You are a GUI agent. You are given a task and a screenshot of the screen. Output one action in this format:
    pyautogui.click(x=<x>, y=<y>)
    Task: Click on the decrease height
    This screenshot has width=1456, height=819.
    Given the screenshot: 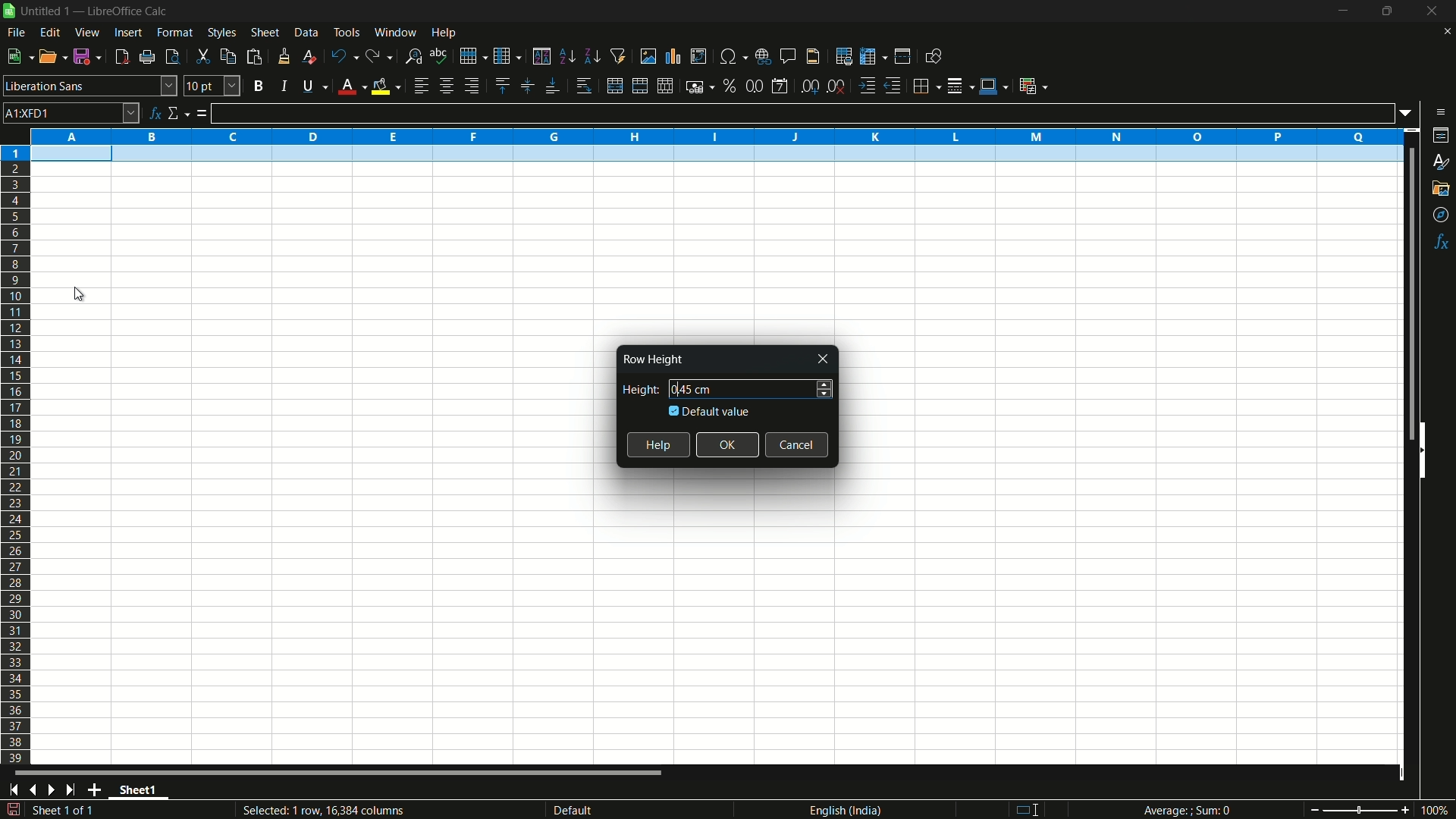 What is the action you would take?
    pyautogui.click(x=824, y=395)
    